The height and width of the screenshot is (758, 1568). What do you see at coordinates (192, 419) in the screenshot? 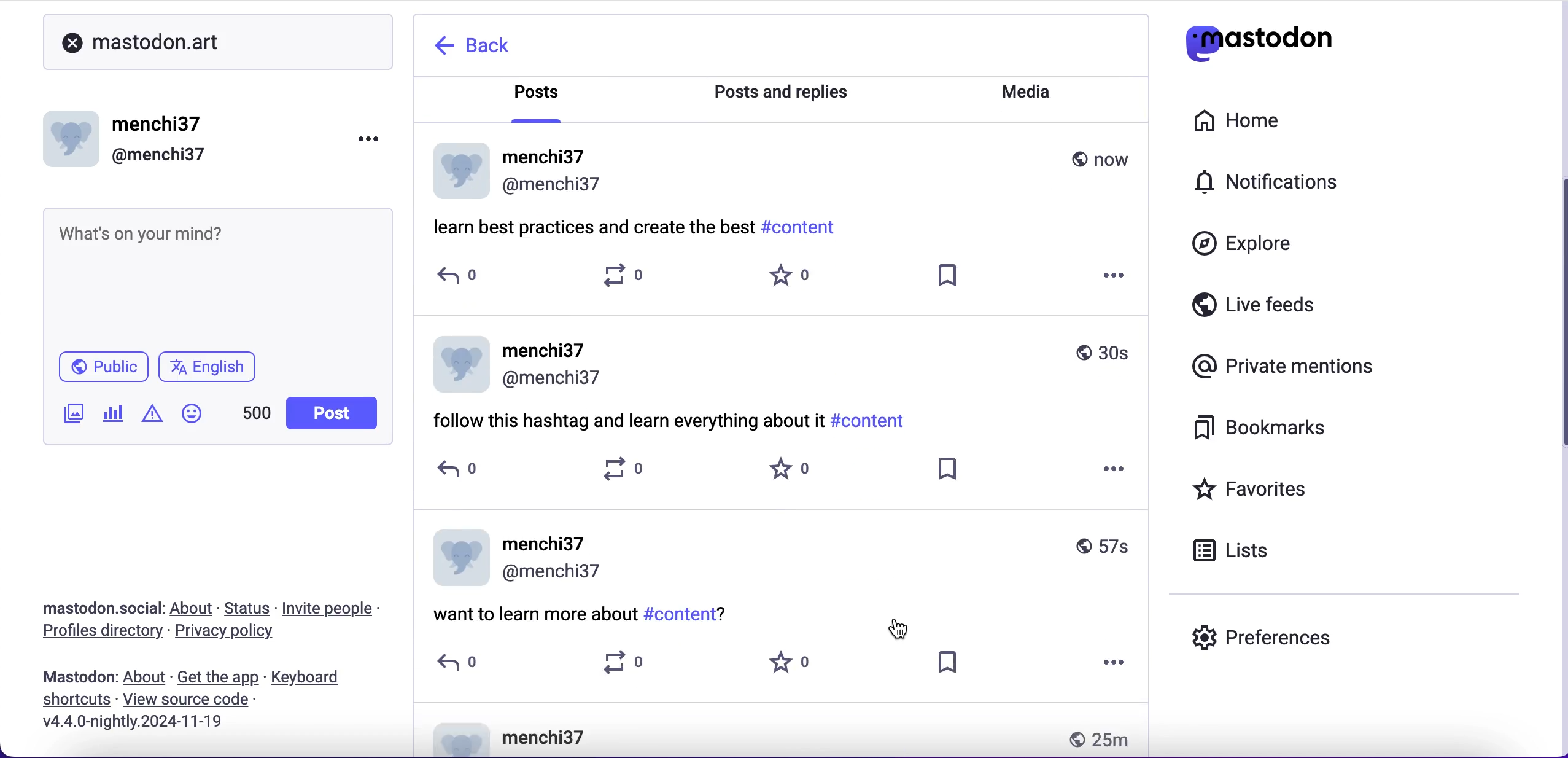
I see `add emoji` at bounding box center [192, 419].